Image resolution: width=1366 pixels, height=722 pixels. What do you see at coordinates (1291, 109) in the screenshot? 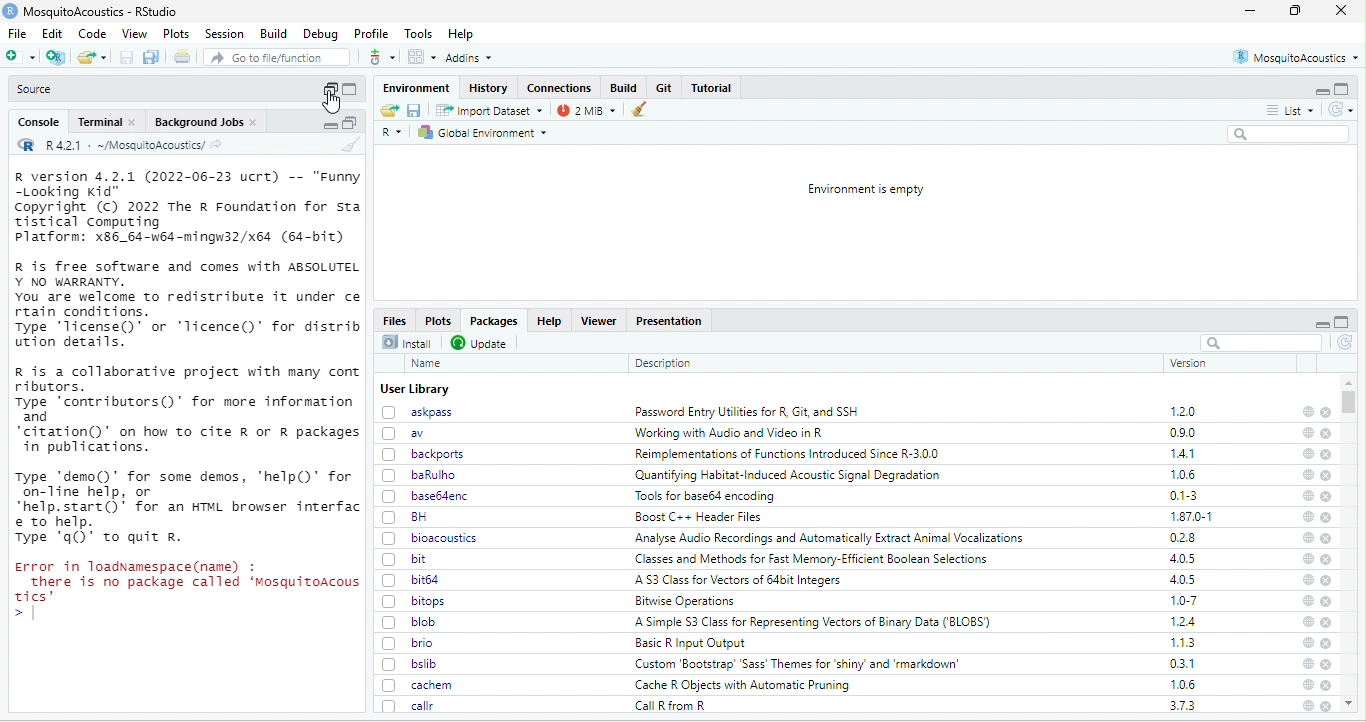
I see `List` at bounding box center [1291, 109].